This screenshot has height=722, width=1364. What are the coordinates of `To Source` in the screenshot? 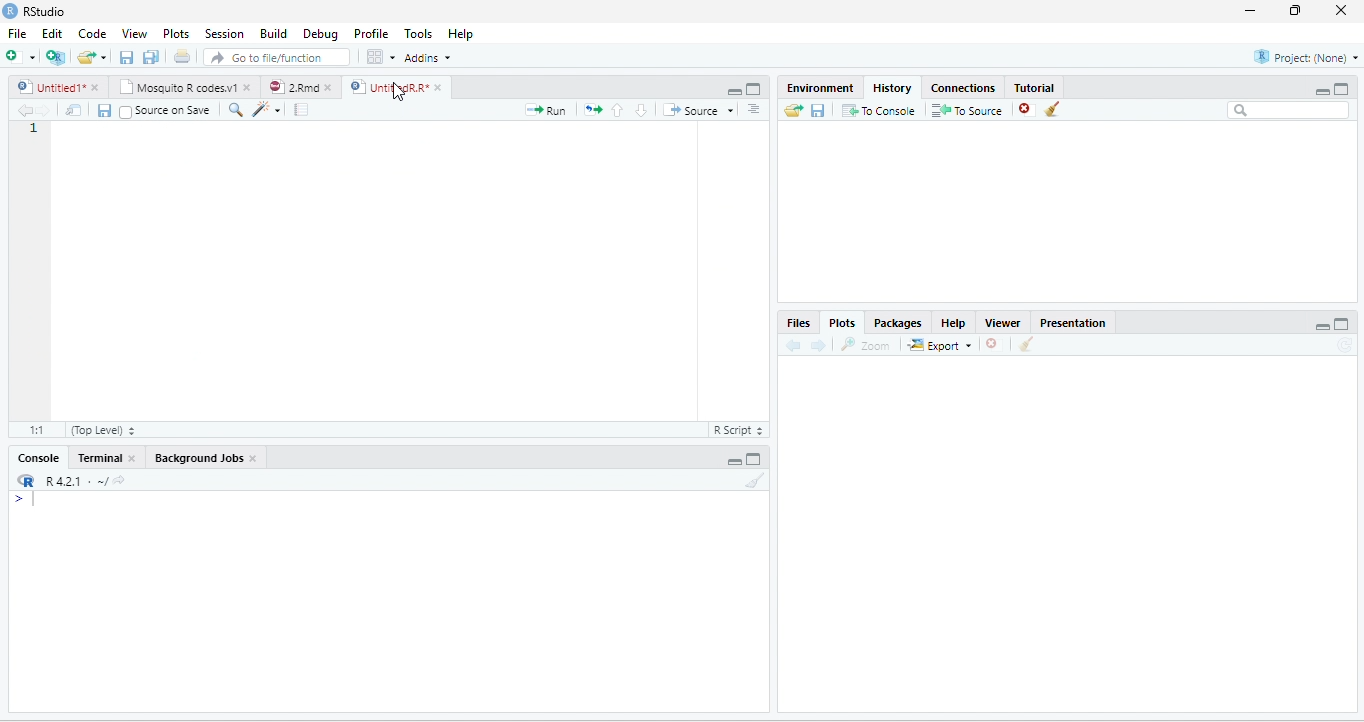 It's located at (968, 111).